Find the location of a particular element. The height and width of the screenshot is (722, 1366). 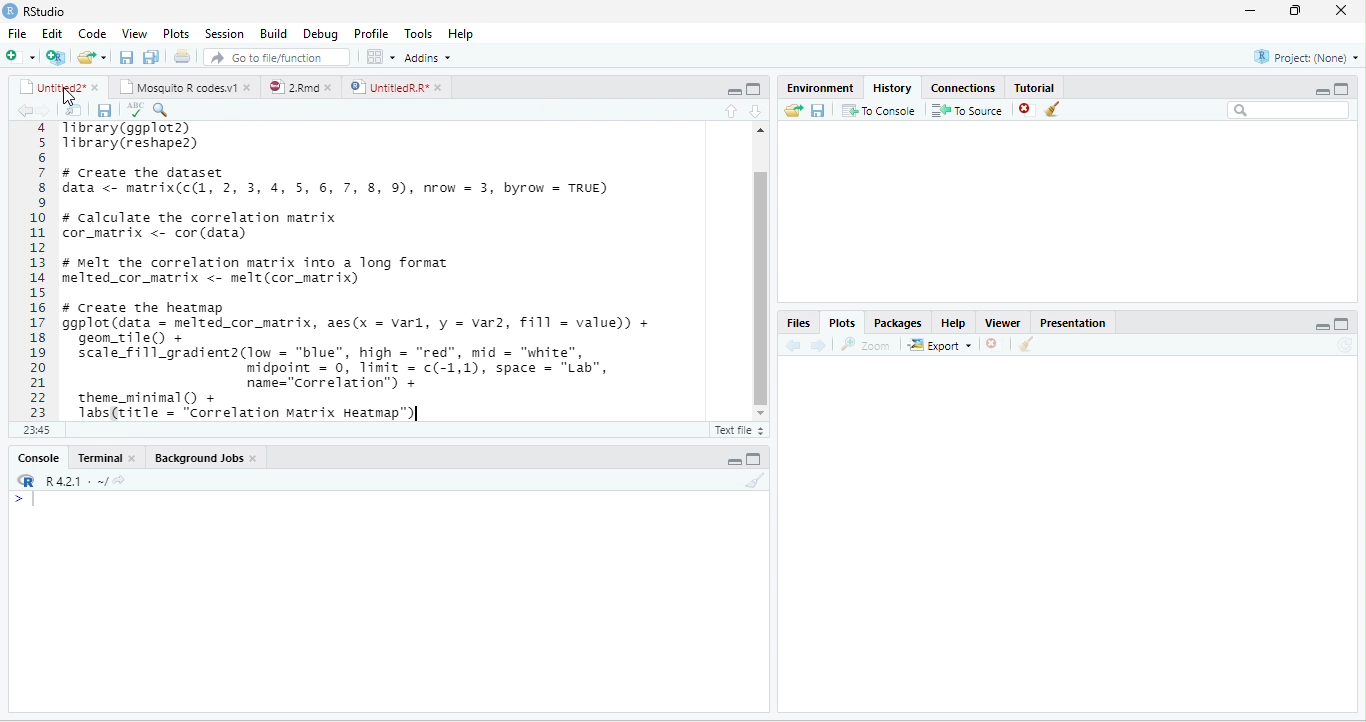

1>1 is located at coordinates (35, 429).